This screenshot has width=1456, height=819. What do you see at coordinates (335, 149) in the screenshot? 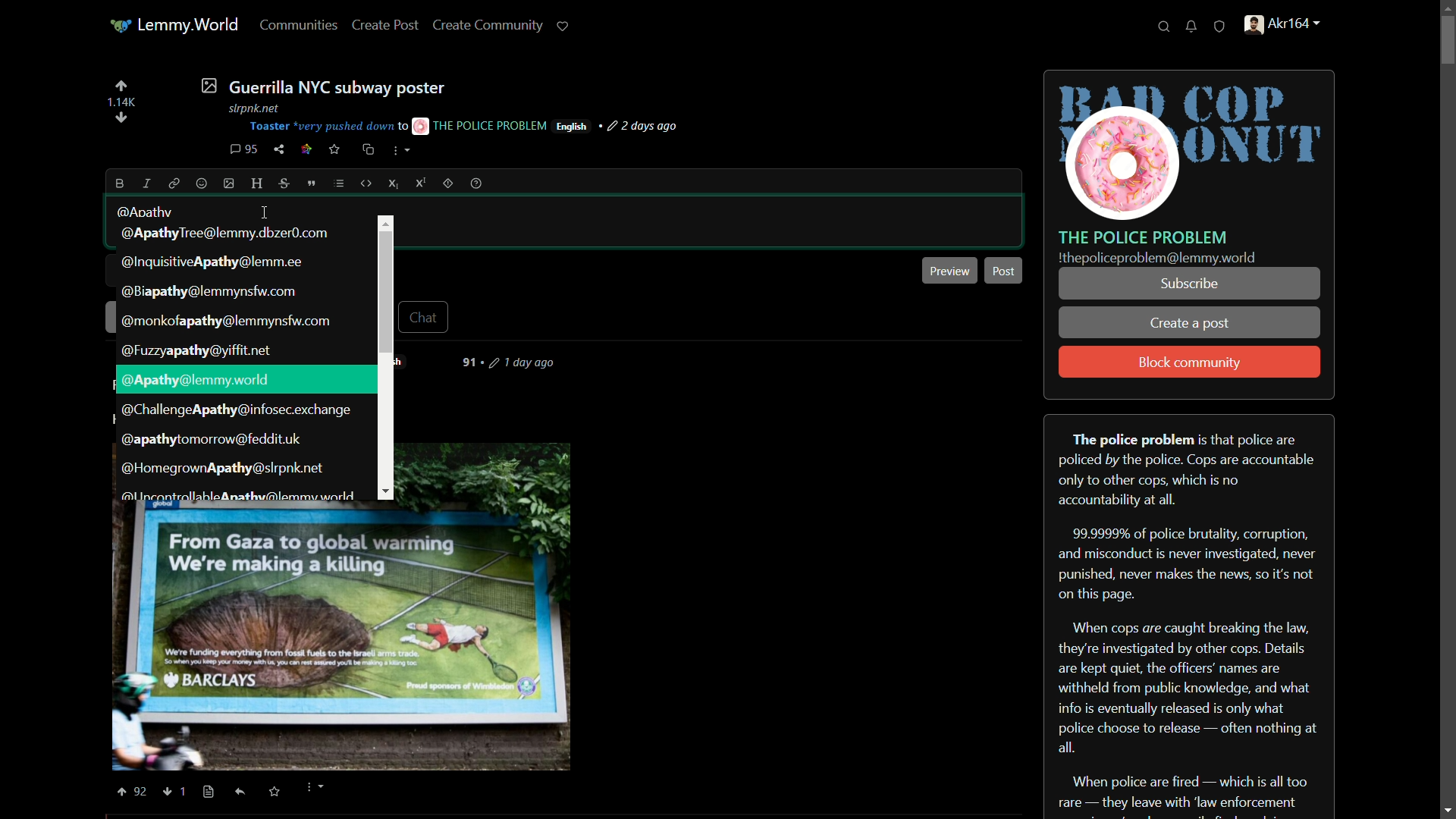
I see `save` at bounding box center [335, 149].